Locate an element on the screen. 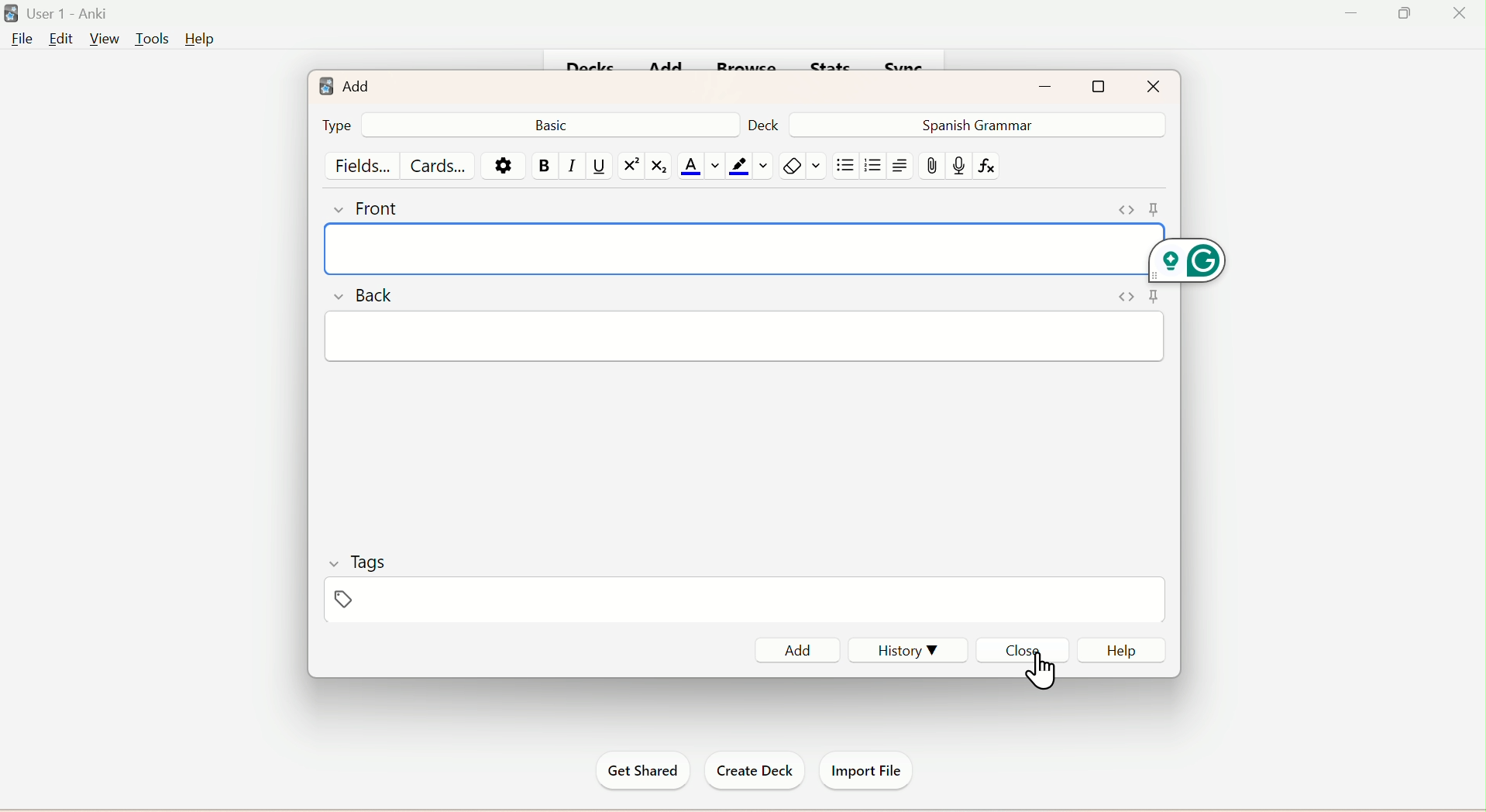   is located at coordinates (22, 43).